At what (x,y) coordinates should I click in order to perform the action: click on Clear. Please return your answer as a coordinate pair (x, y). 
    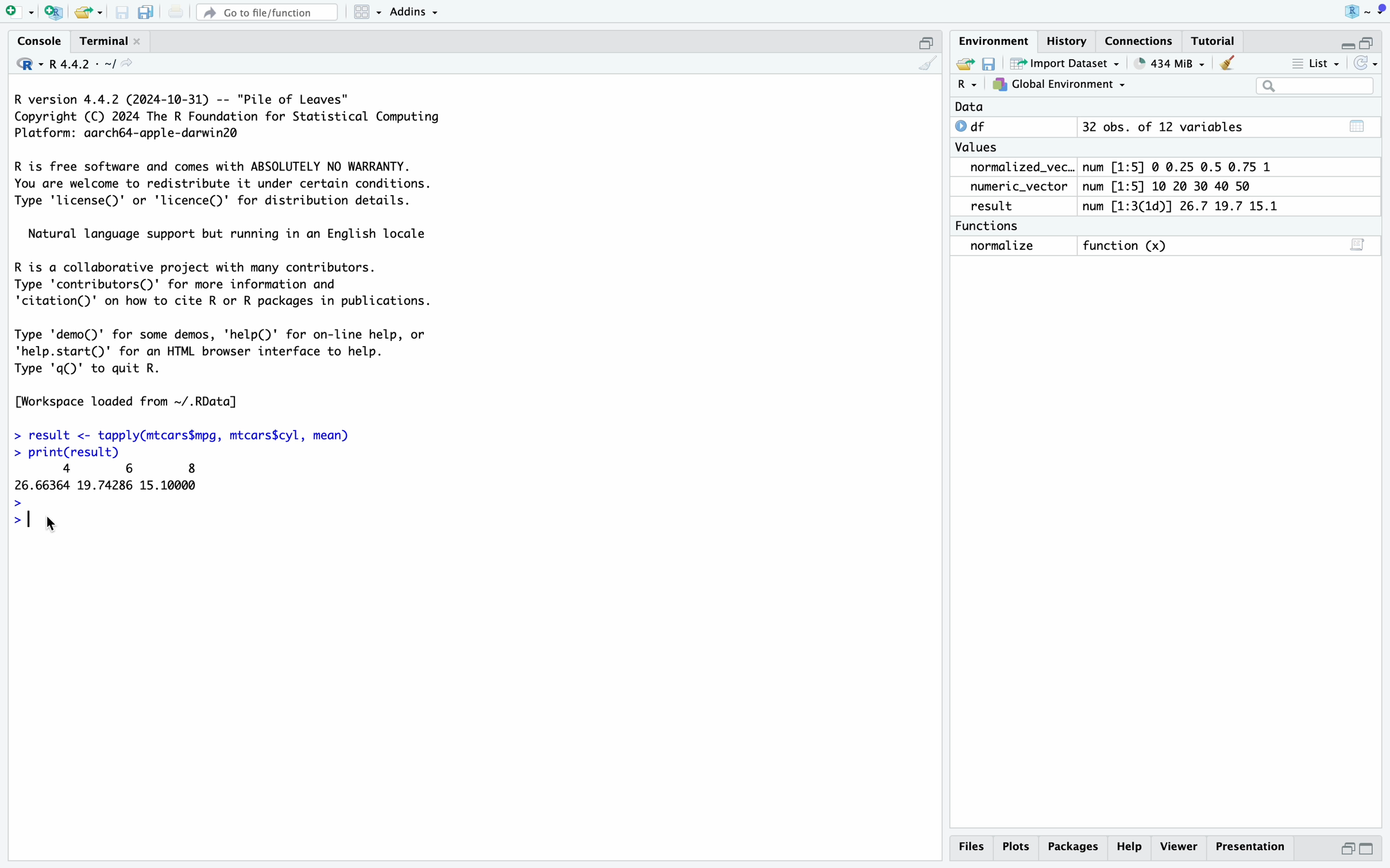
    Looking at the image, I should click on (1228, 64).